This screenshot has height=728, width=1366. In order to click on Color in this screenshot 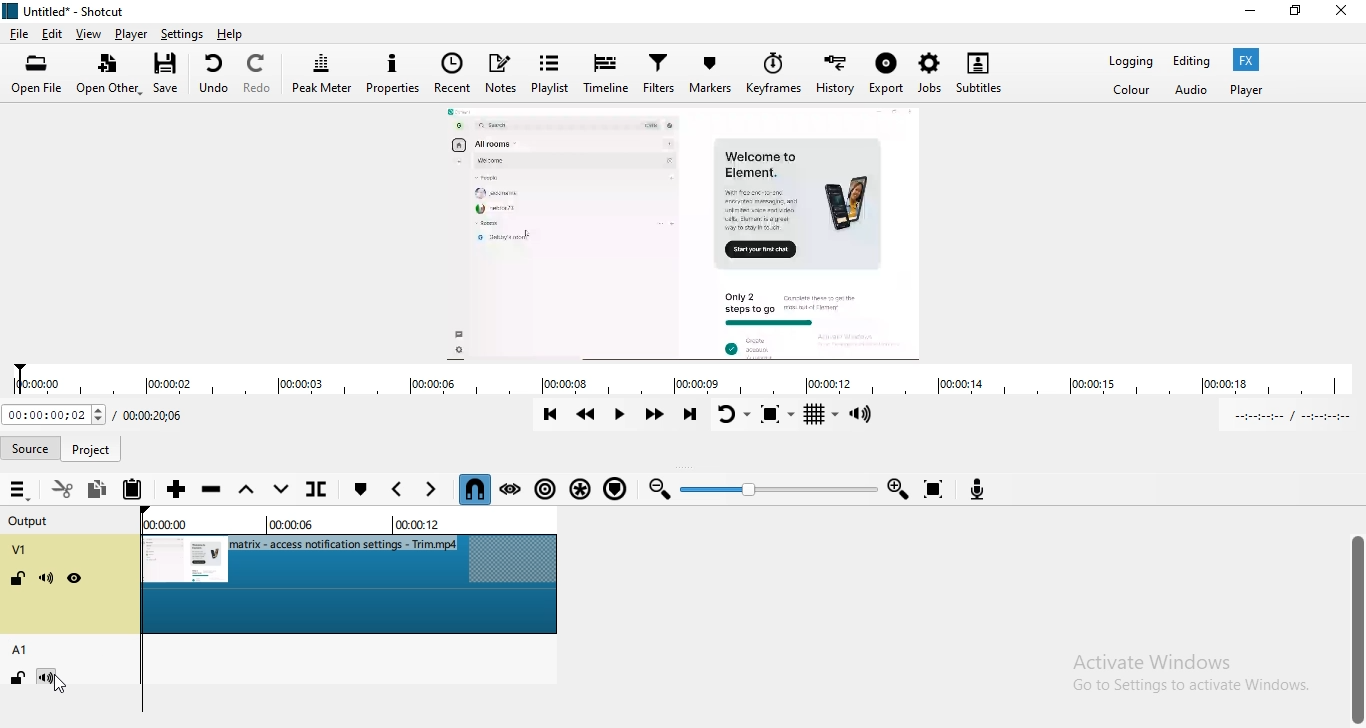, I will do `click(1130, 91)`.